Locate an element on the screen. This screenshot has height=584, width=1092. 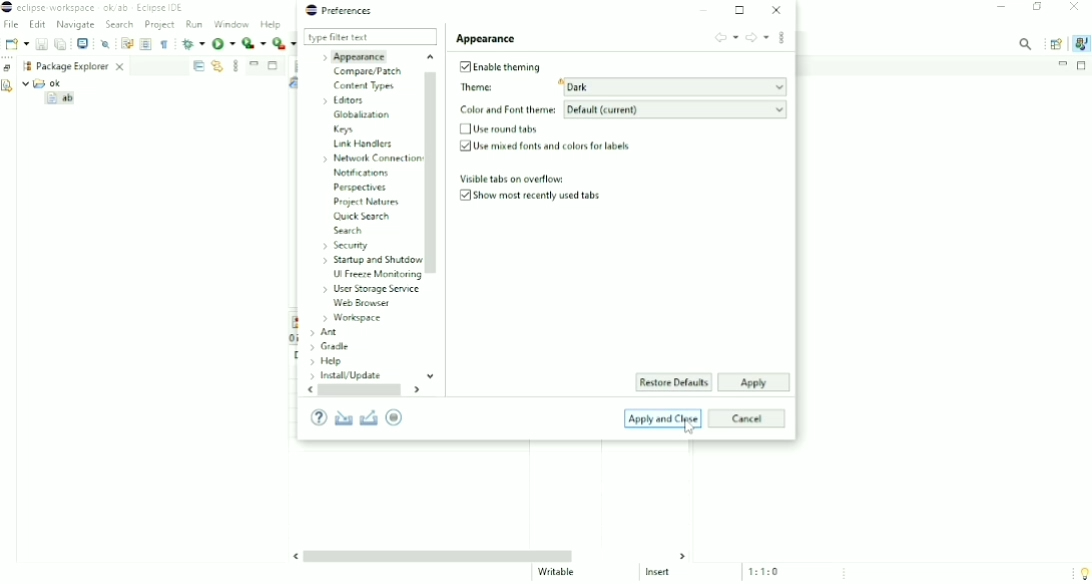
Use round tabs is located at coordinates (501, 129).